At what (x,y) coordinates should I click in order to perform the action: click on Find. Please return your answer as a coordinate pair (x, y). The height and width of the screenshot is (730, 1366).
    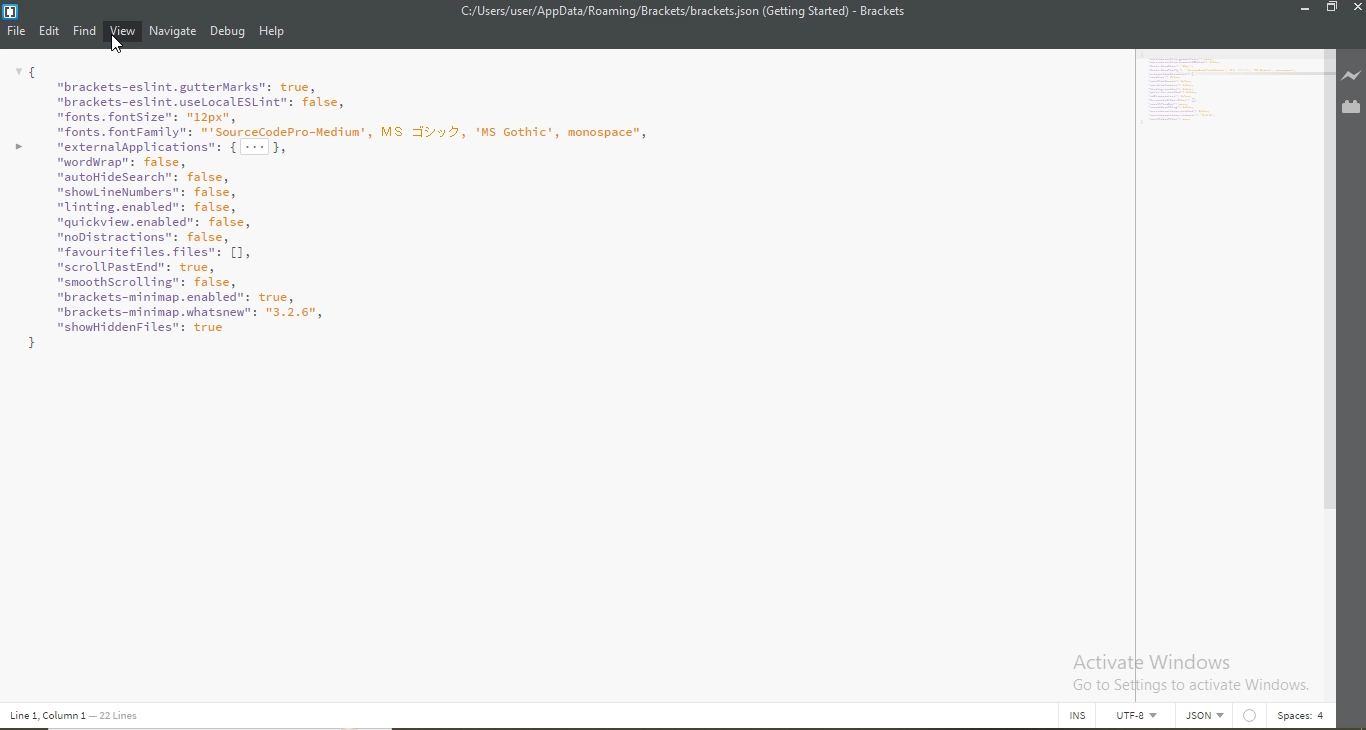
    Looking at the image, I should click on (85, 31).